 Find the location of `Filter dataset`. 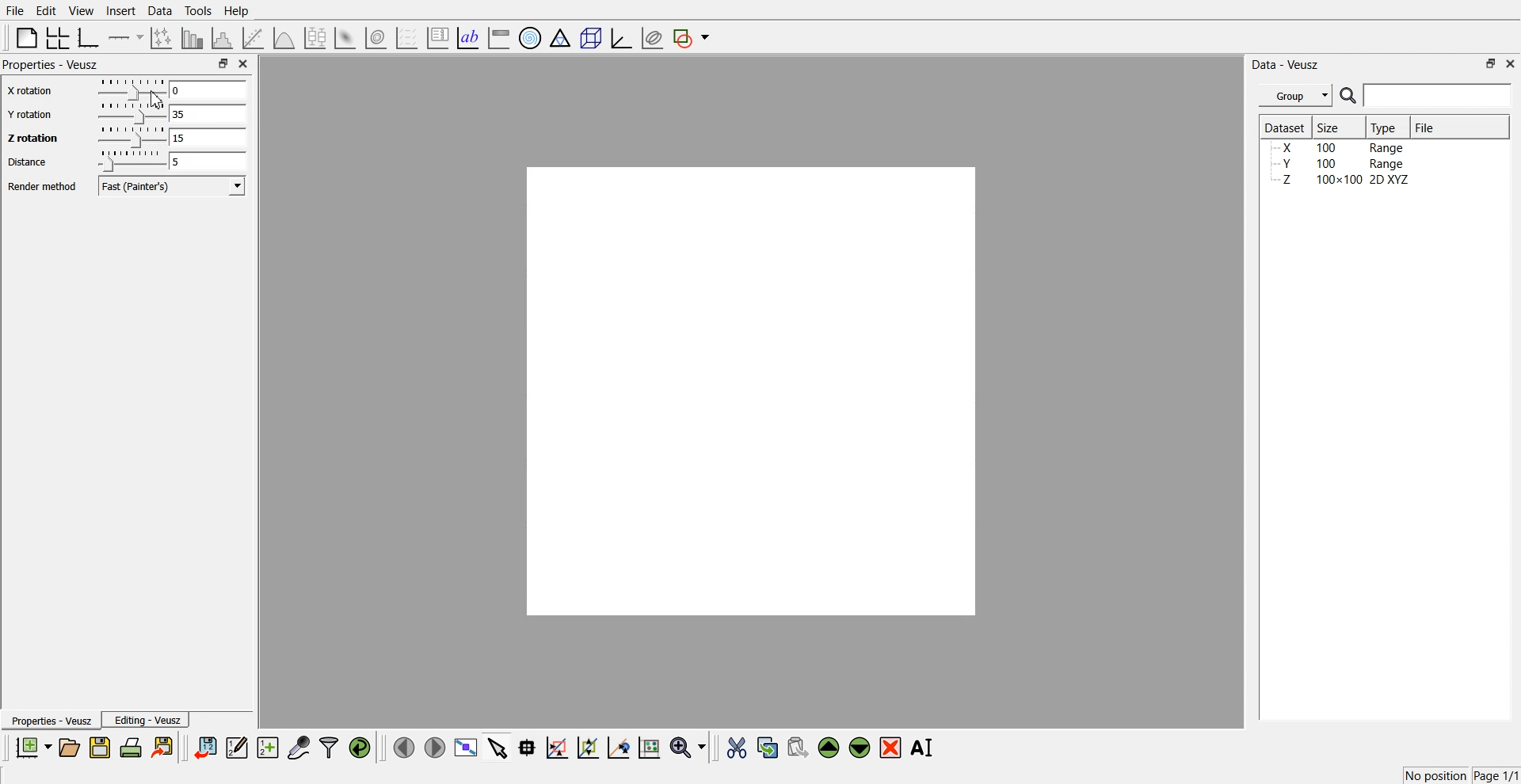

Filter dataset is located at coordinates (329, 747).